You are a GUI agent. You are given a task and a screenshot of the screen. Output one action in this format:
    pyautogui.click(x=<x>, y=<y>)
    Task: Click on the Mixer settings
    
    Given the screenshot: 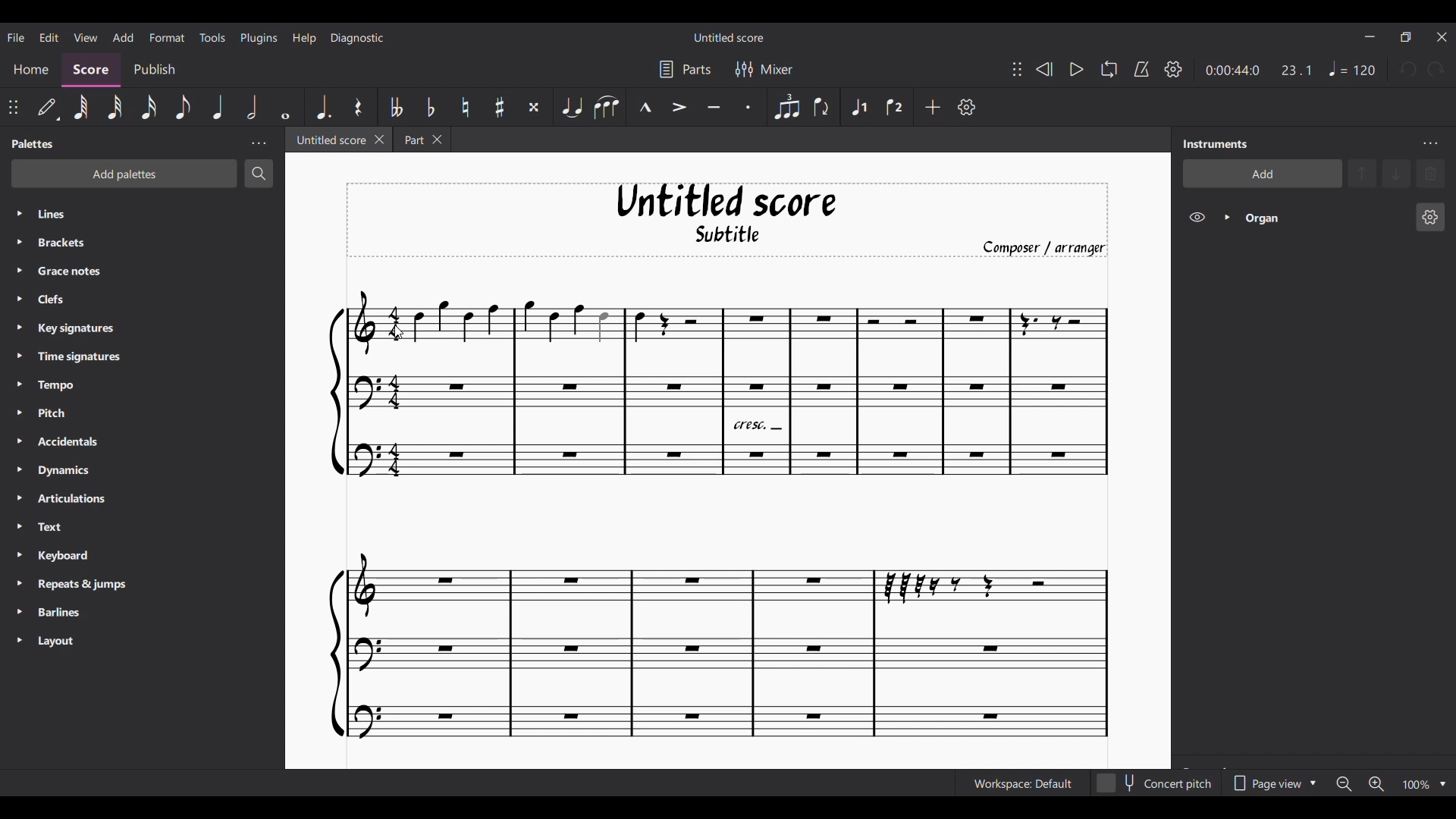 What is the action you would take?
    pyautogui.click(x=764, y=69)
    